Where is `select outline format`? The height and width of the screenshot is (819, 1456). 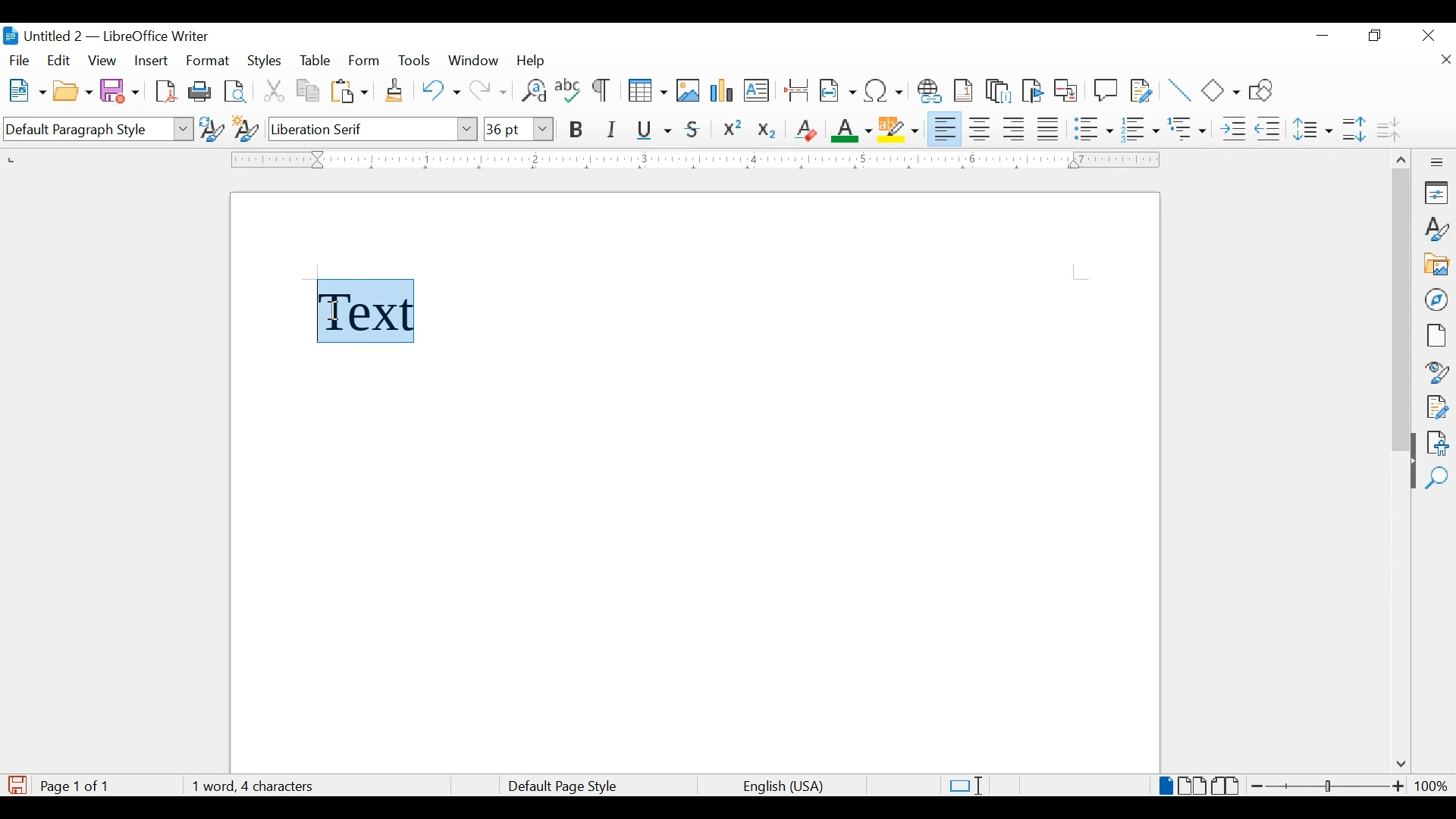 select outline format is located at coordinates (1188, 129).